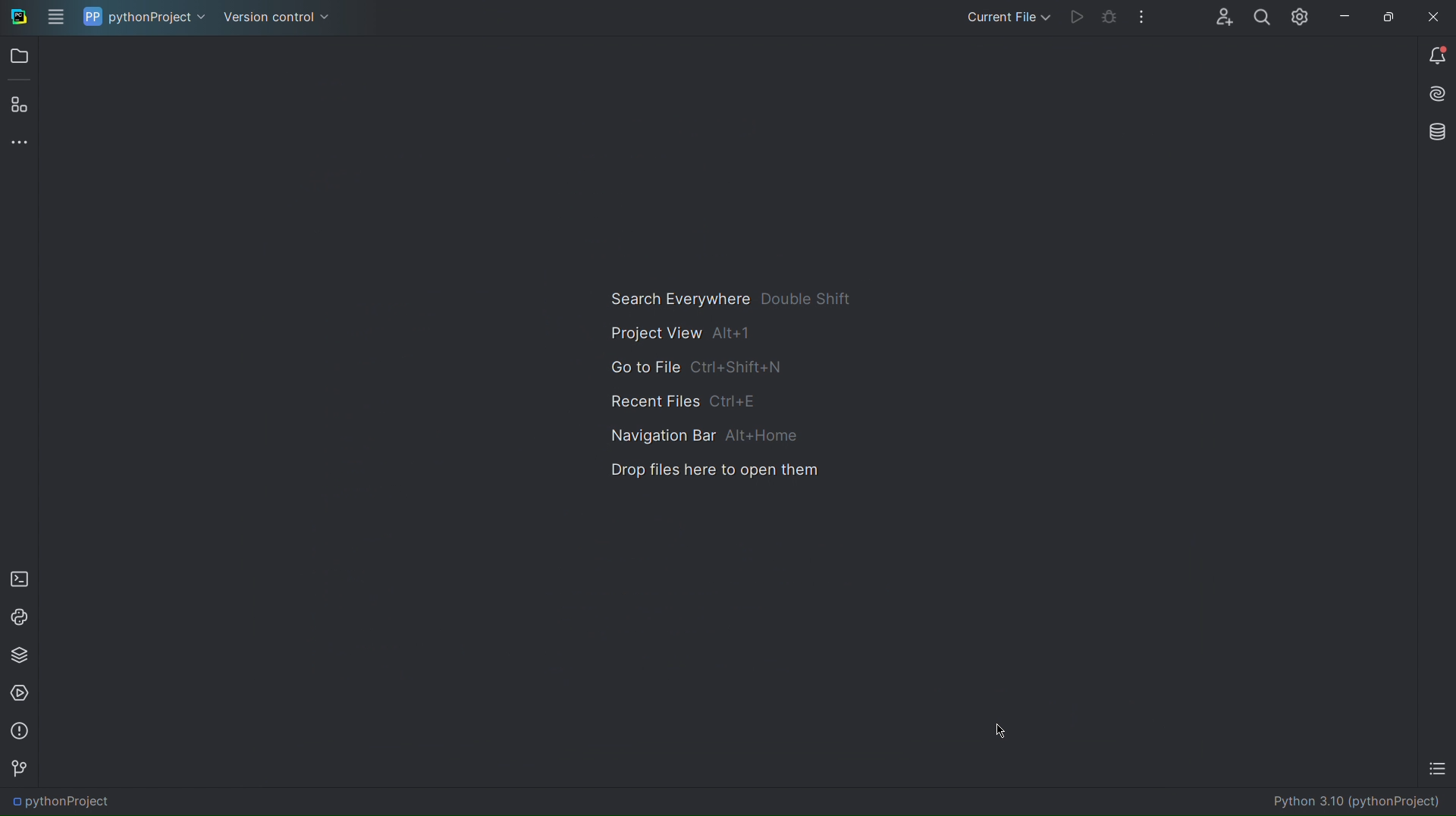  What do you see at coordinates (1436, 15) in the screenshot?
I see `Close` at bounding box center [1436, 15].